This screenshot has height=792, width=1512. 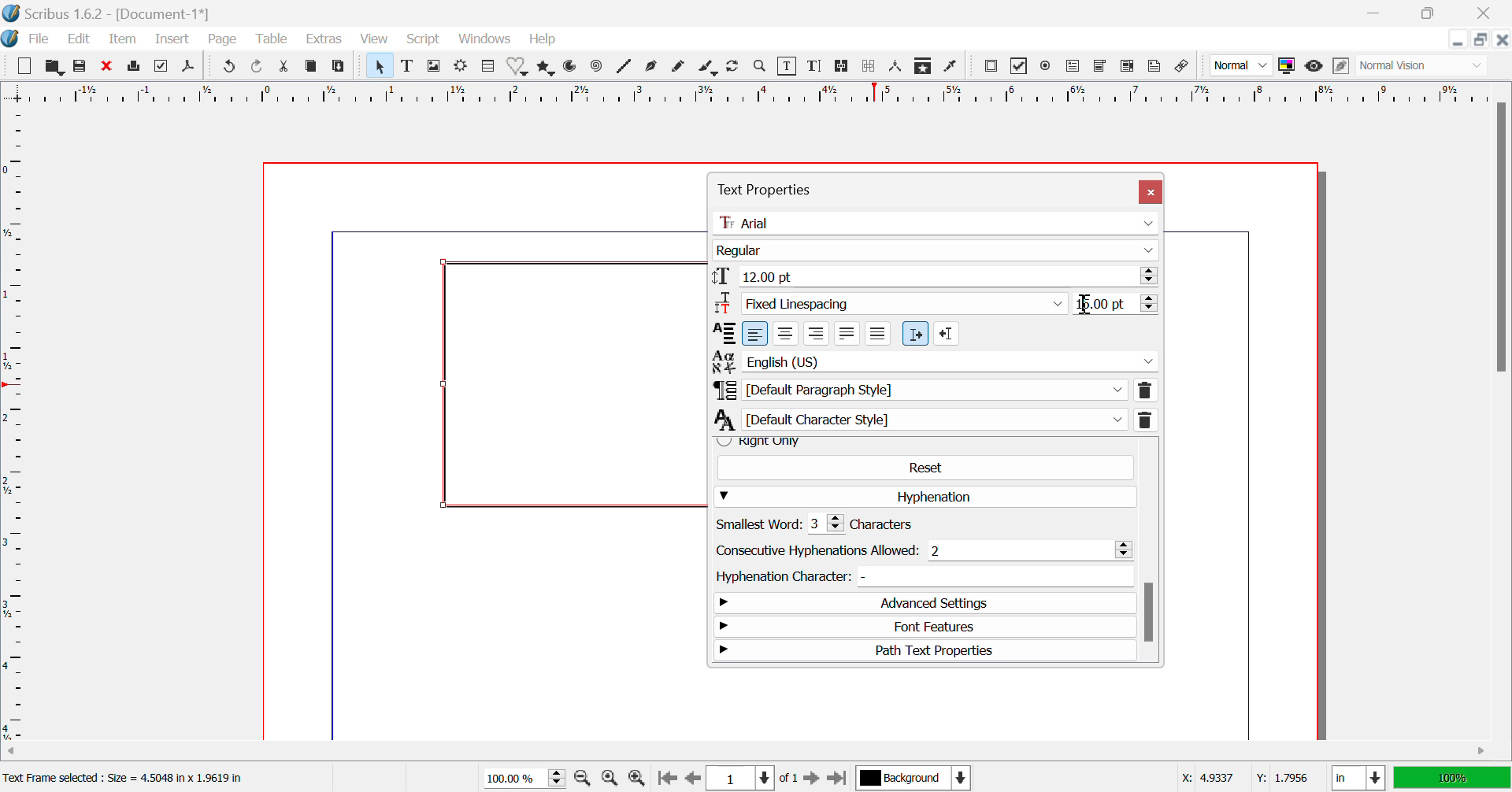 What do you see at coordinates (408, 68) in the screenshot?
I see `Text Frame` at bounding box center [408, 68].